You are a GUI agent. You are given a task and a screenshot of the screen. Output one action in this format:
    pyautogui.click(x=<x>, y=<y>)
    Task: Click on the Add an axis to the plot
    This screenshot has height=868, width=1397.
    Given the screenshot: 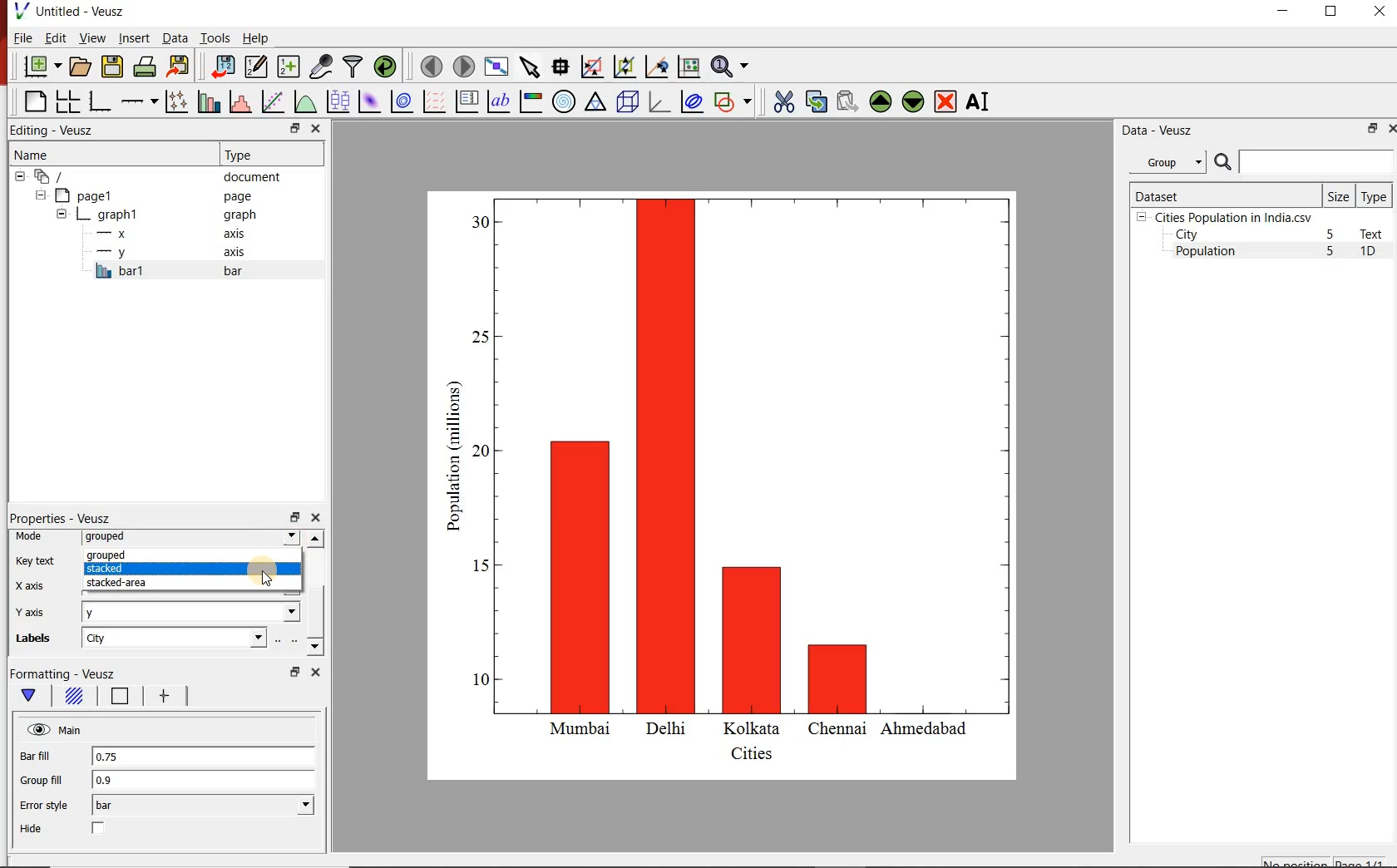 What is the action you would take?
    pyautogui.click(x=139, y=99)
    